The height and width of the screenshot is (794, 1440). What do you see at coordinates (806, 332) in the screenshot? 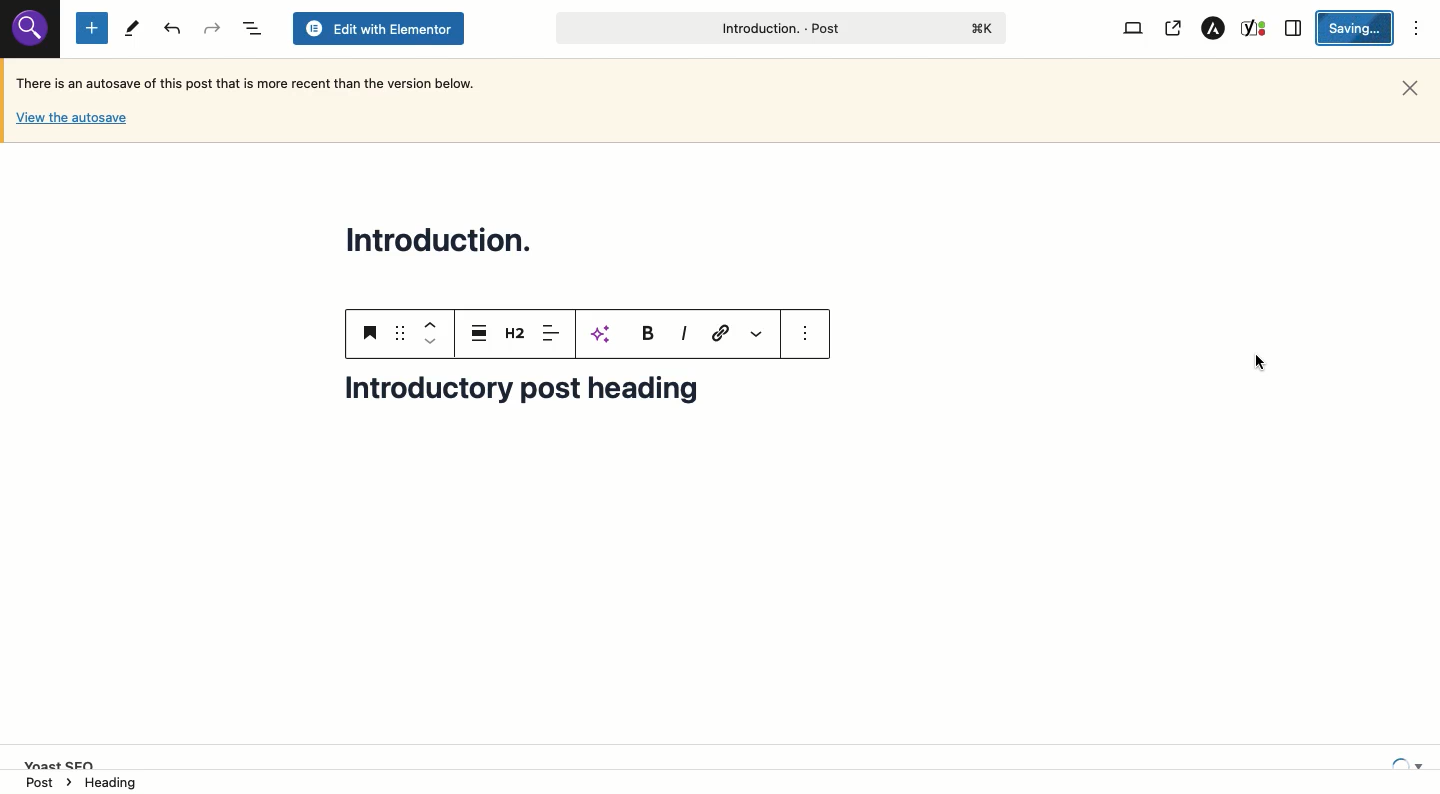
I see `more options` at bounding box center [806, 332].